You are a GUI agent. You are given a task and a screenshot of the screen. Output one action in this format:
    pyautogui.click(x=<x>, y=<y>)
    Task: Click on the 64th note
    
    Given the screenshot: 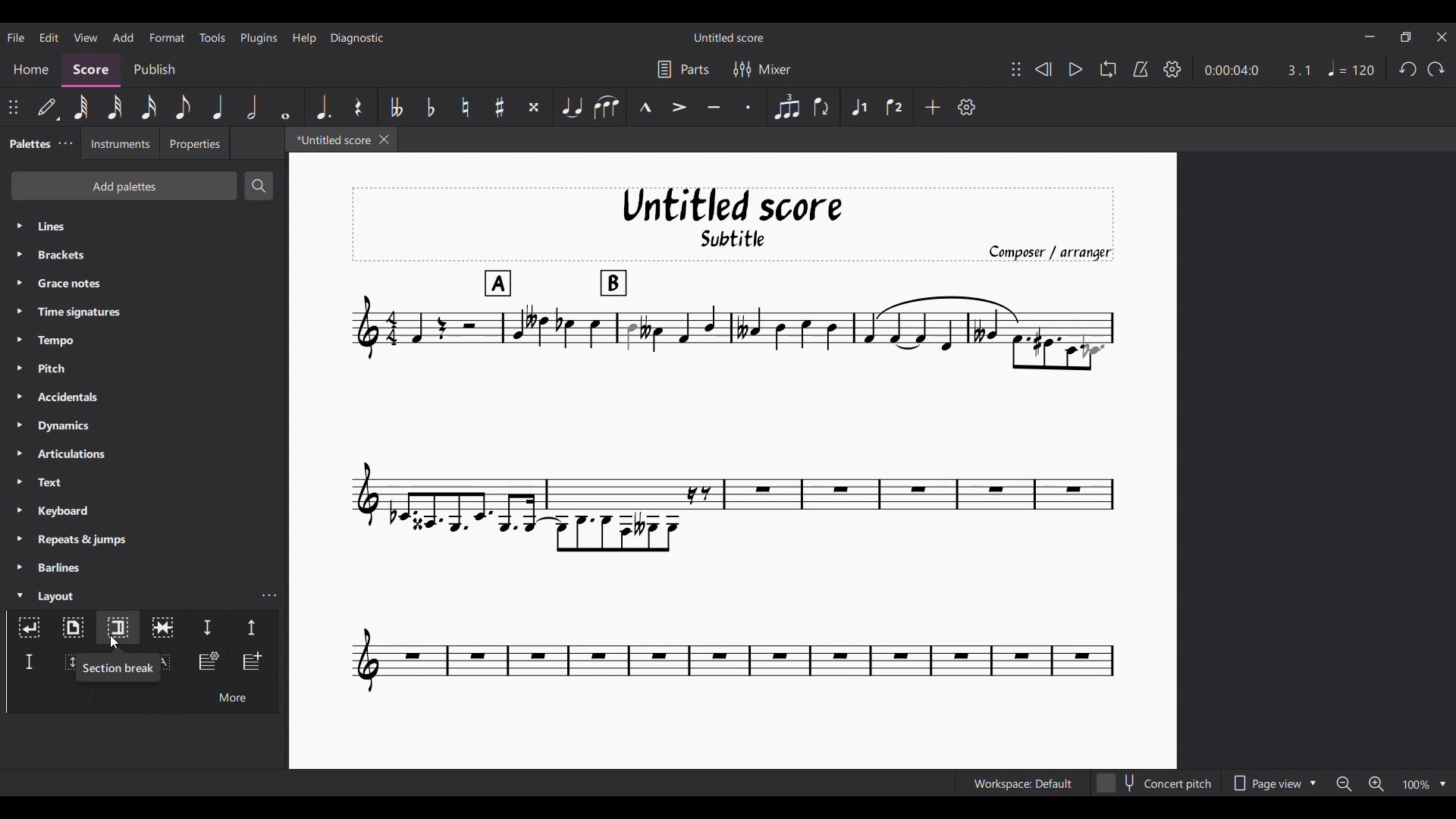 What is the action you would take?
    pyautogui.click(x=81, y=107)
    